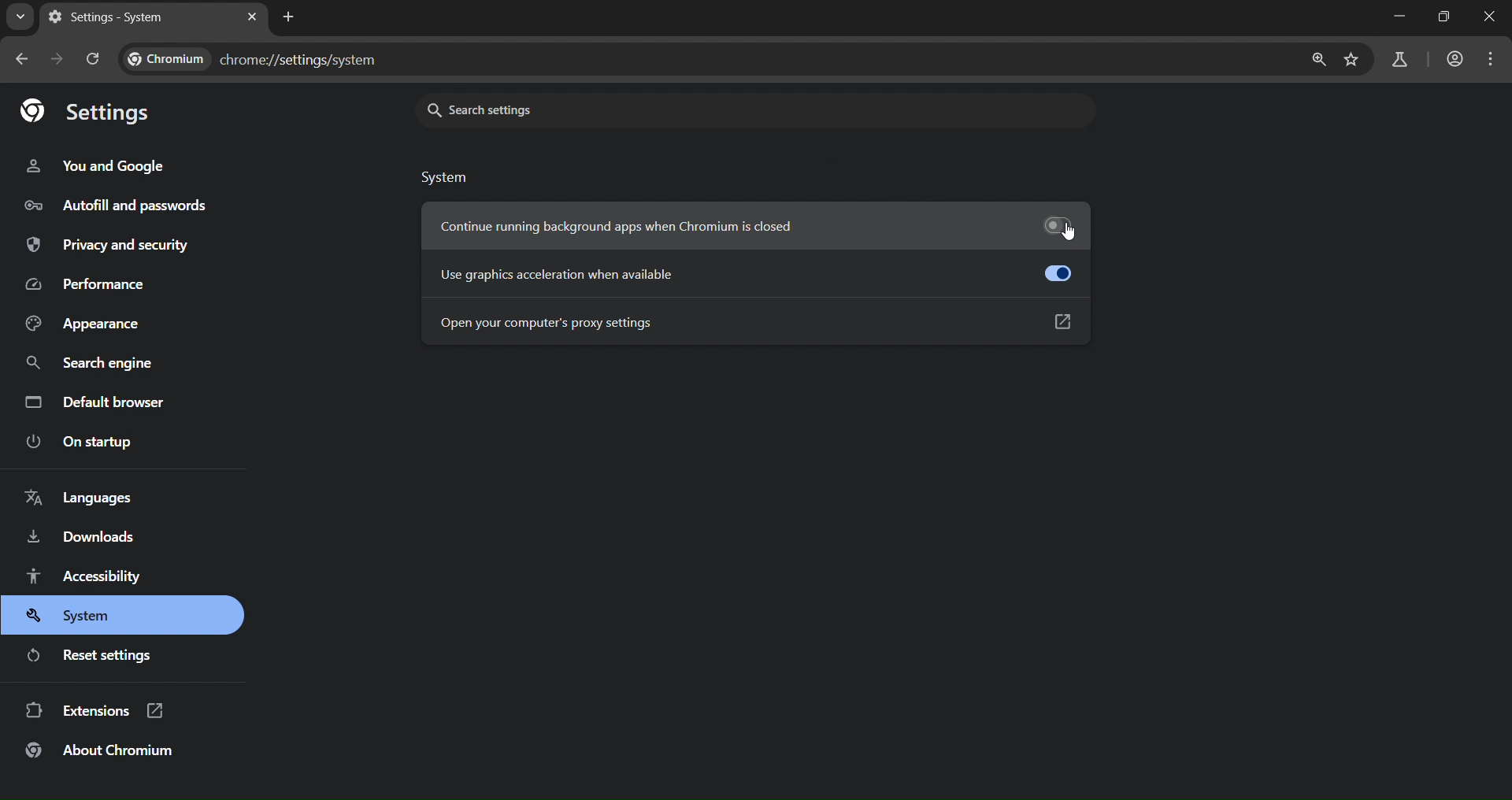 The height and width of the screenshot is (800, 1512). Describe the element at coordinates (57, 61) in the screenshot. I see `go forward one page` at that location.